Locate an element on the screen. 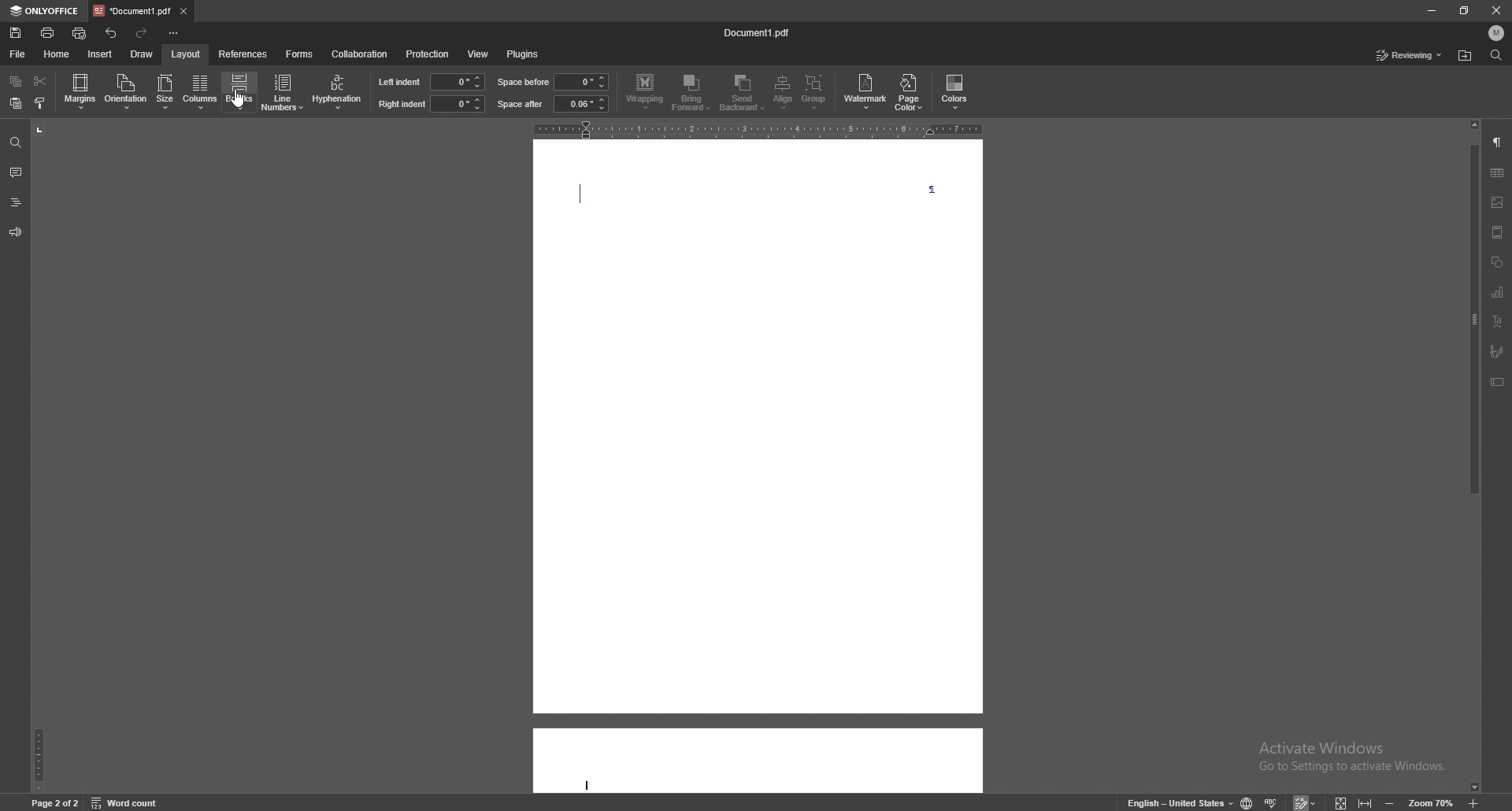 The width and height of the screenshot is (1512, 811). onlyoffice is located at coordinates (43, 10).